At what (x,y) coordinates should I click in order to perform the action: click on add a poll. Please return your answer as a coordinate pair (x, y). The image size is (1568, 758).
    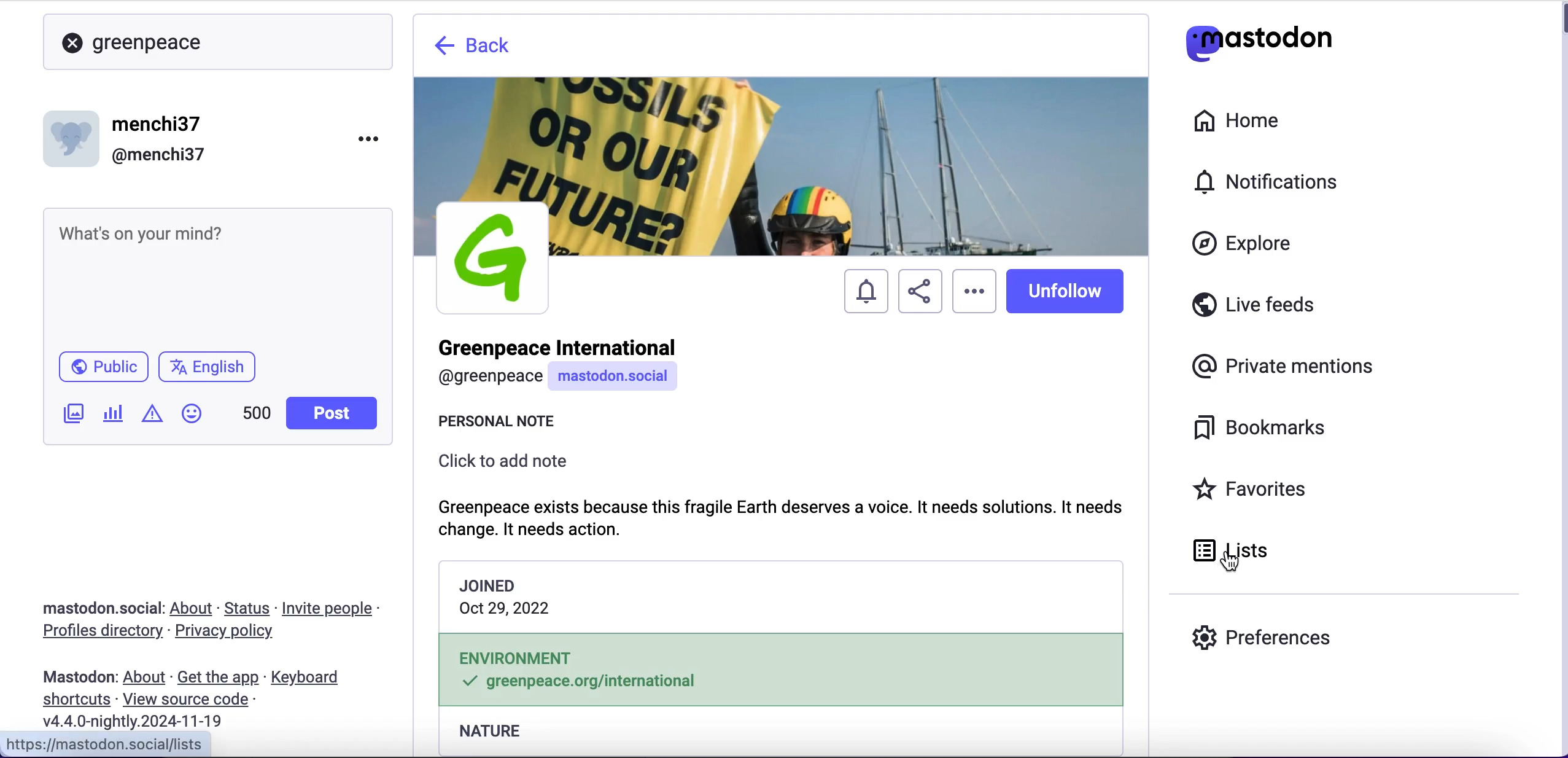
    Looking at the image, I should click on (112, 418).